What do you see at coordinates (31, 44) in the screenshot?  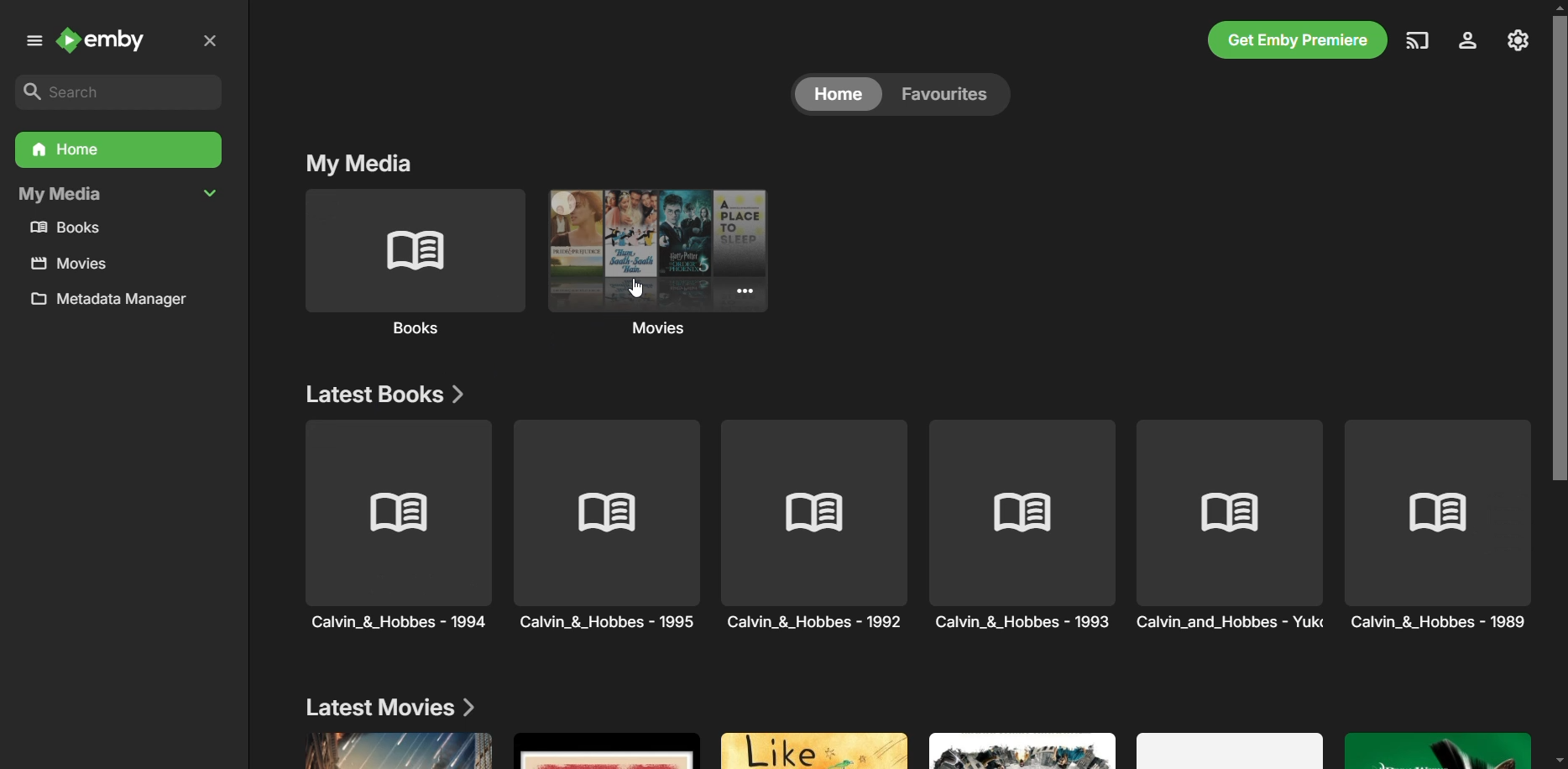 I see `Expand/Collapse` at bounding box center [31, 44].